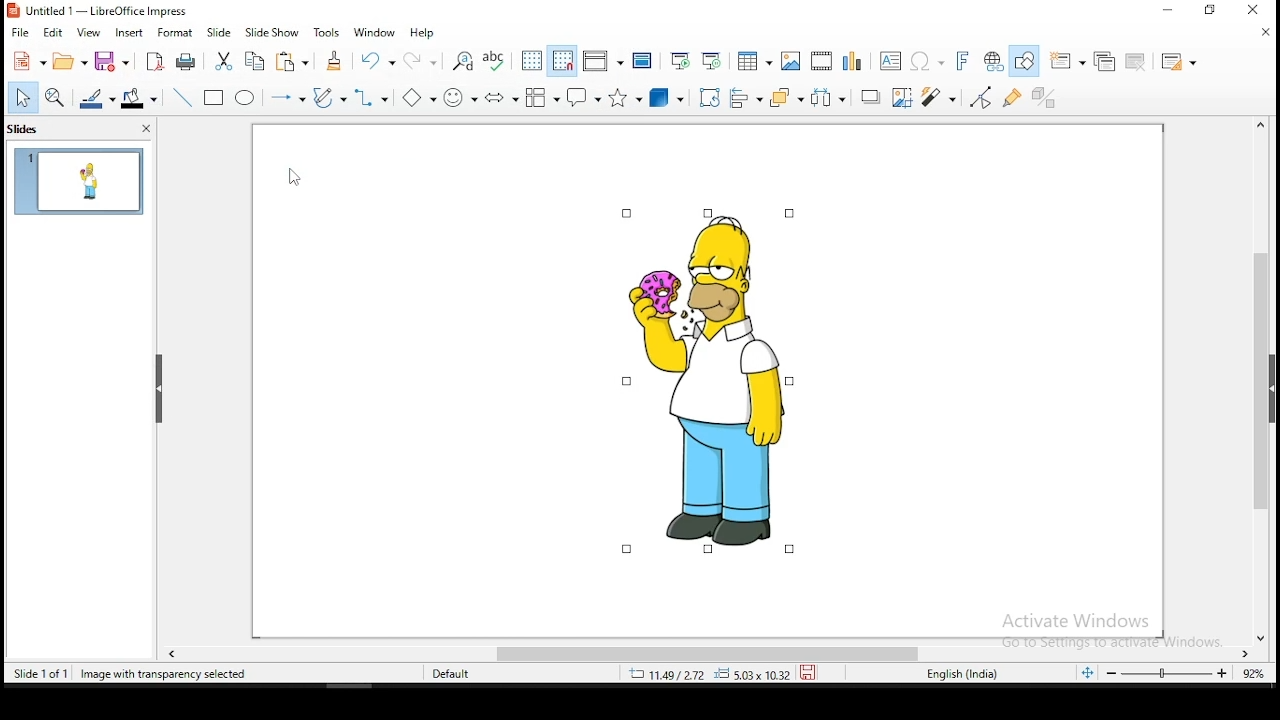 This screenshot has width=1280, height=720. I want to click on clone formatting, so click(335, 60).